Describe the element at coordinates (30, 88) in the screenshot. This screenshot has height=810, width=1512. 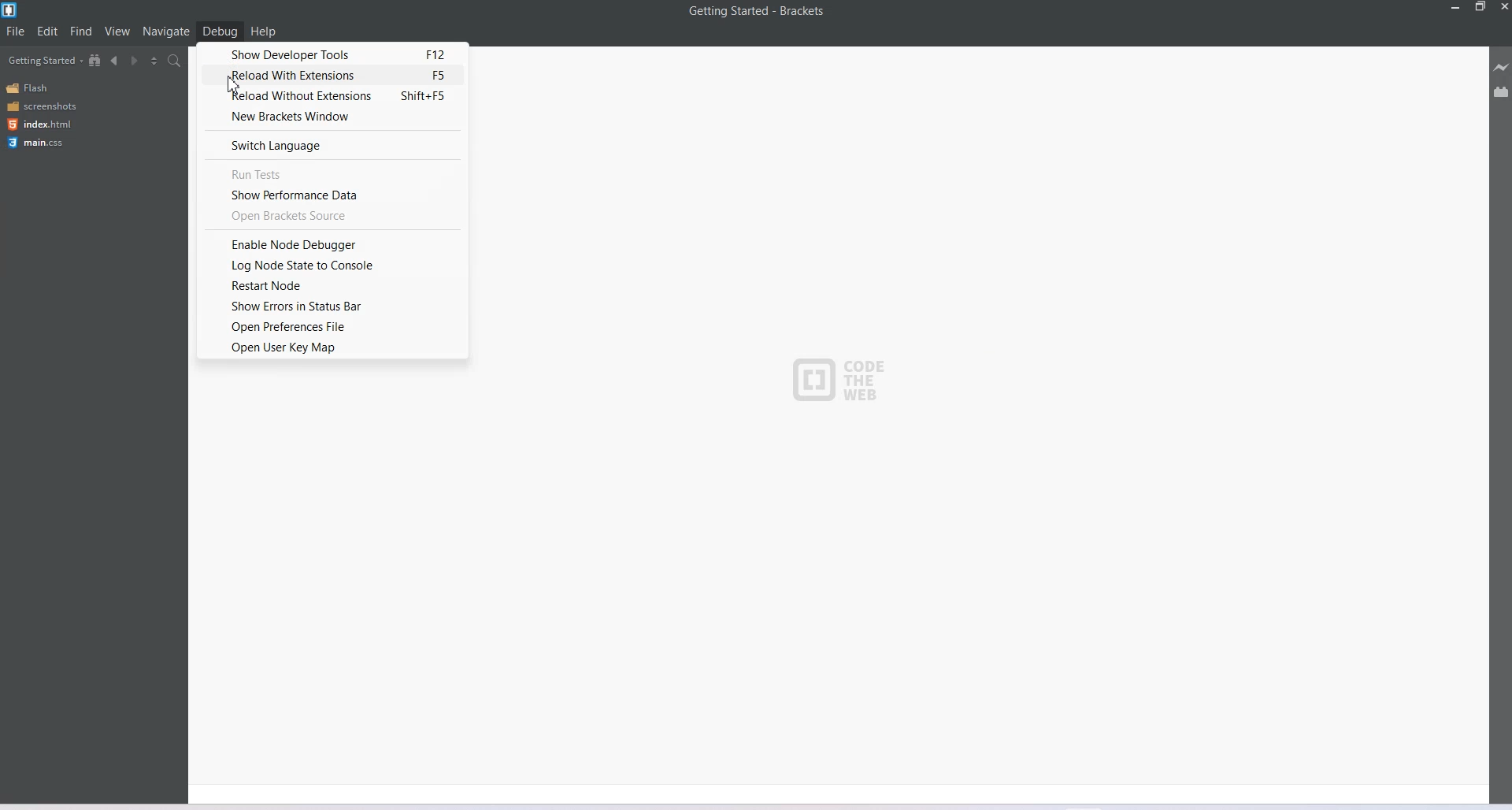
I see `Flash` at that location.